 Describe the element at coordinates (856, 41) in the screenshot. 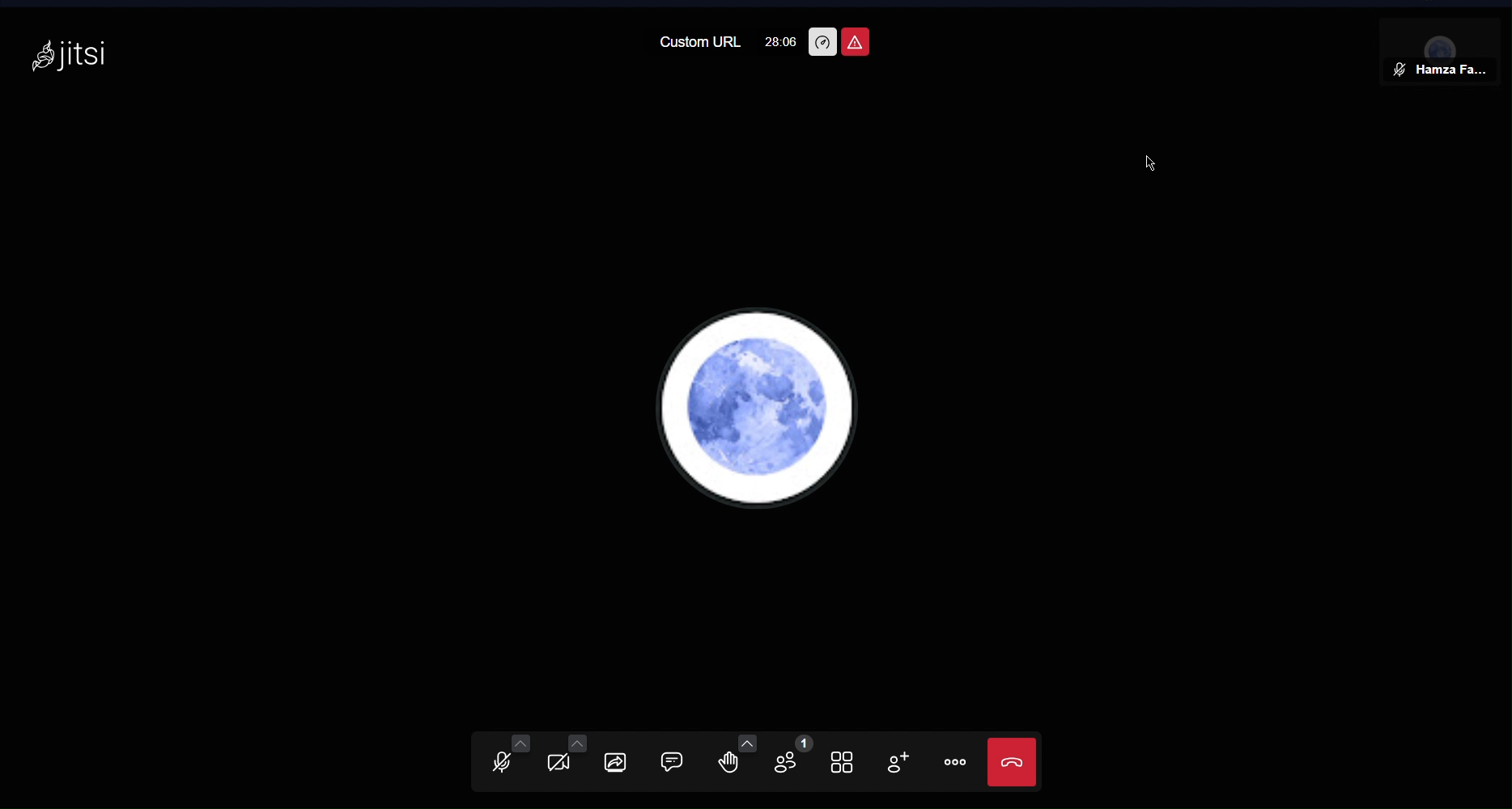

I see `Unsafe Meeting` at that location.